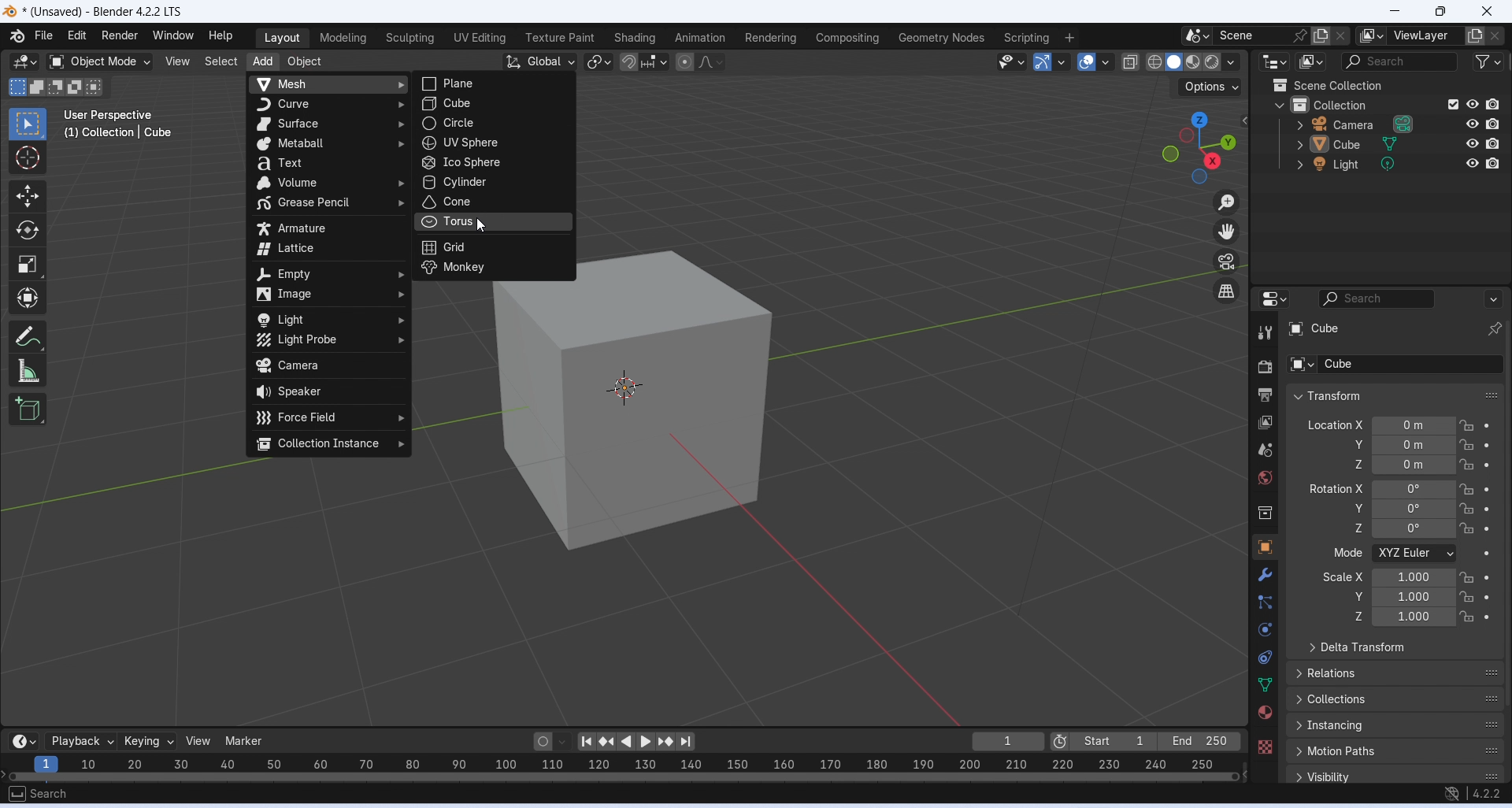 This screenshot has width=1512, height=808. I want to click on Scale X, so click(1432, 578).